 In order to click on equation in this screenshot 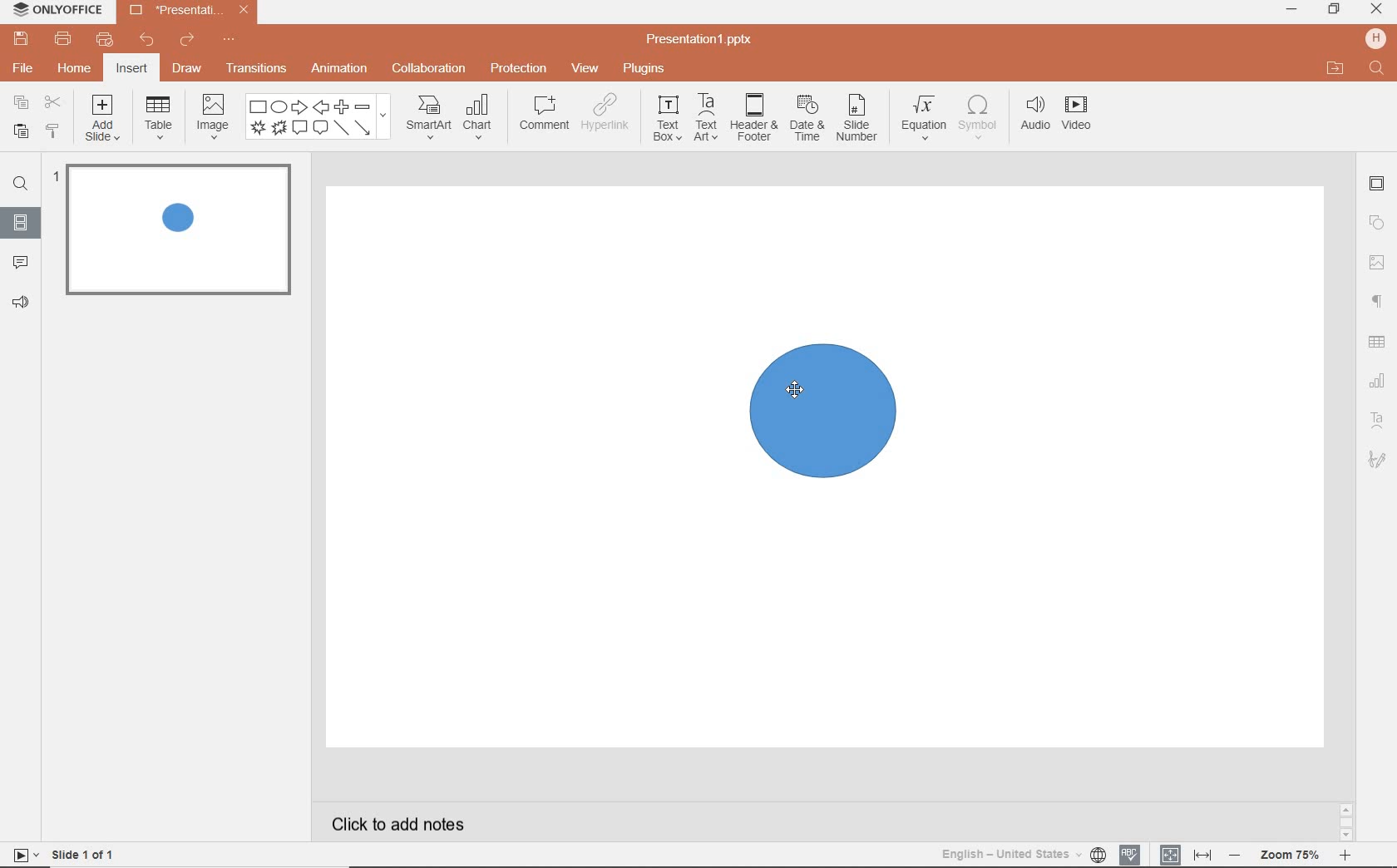, I will do `click(922, 117)`.